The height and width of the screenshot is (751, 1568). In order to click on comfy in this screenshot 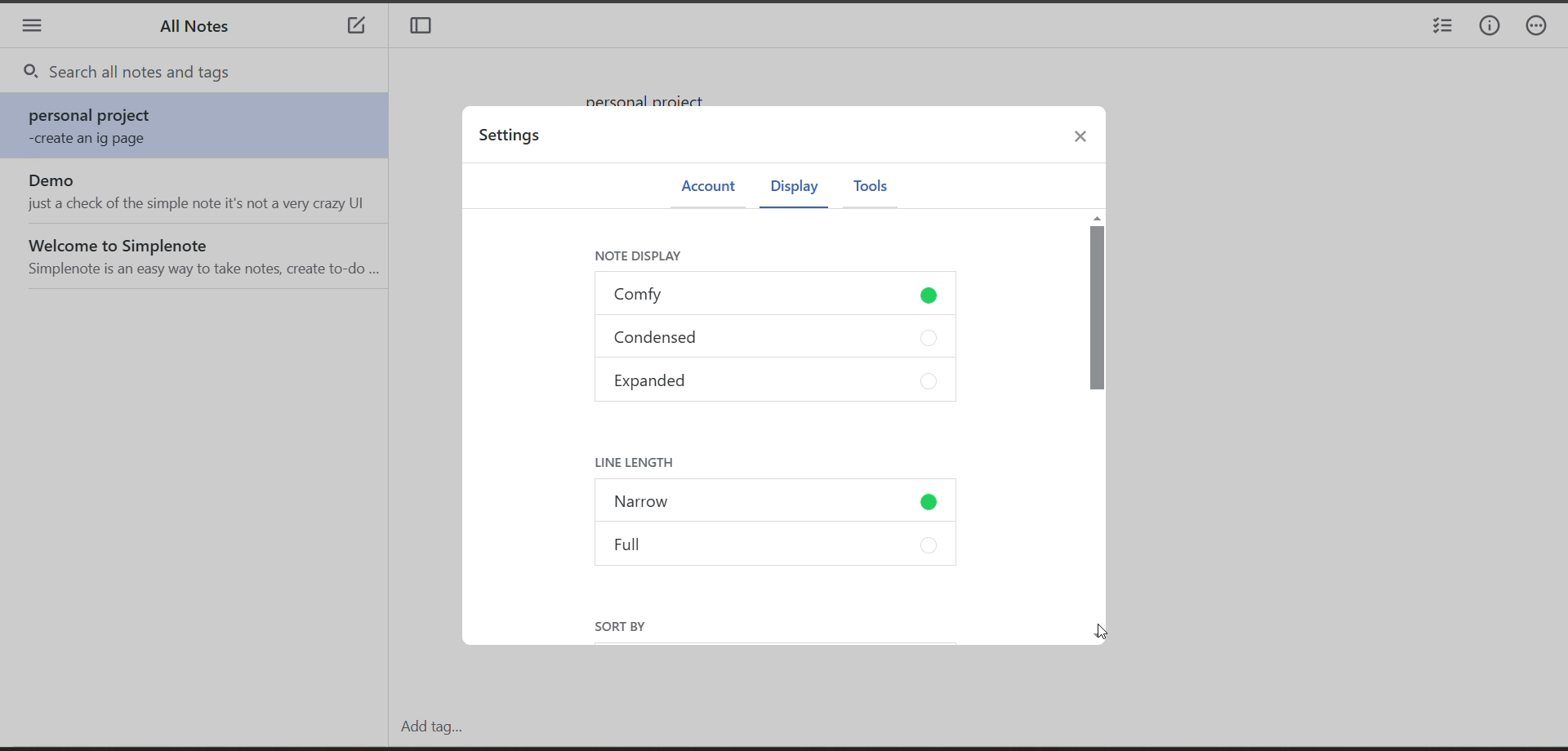, I will do `click(777, 297)`.